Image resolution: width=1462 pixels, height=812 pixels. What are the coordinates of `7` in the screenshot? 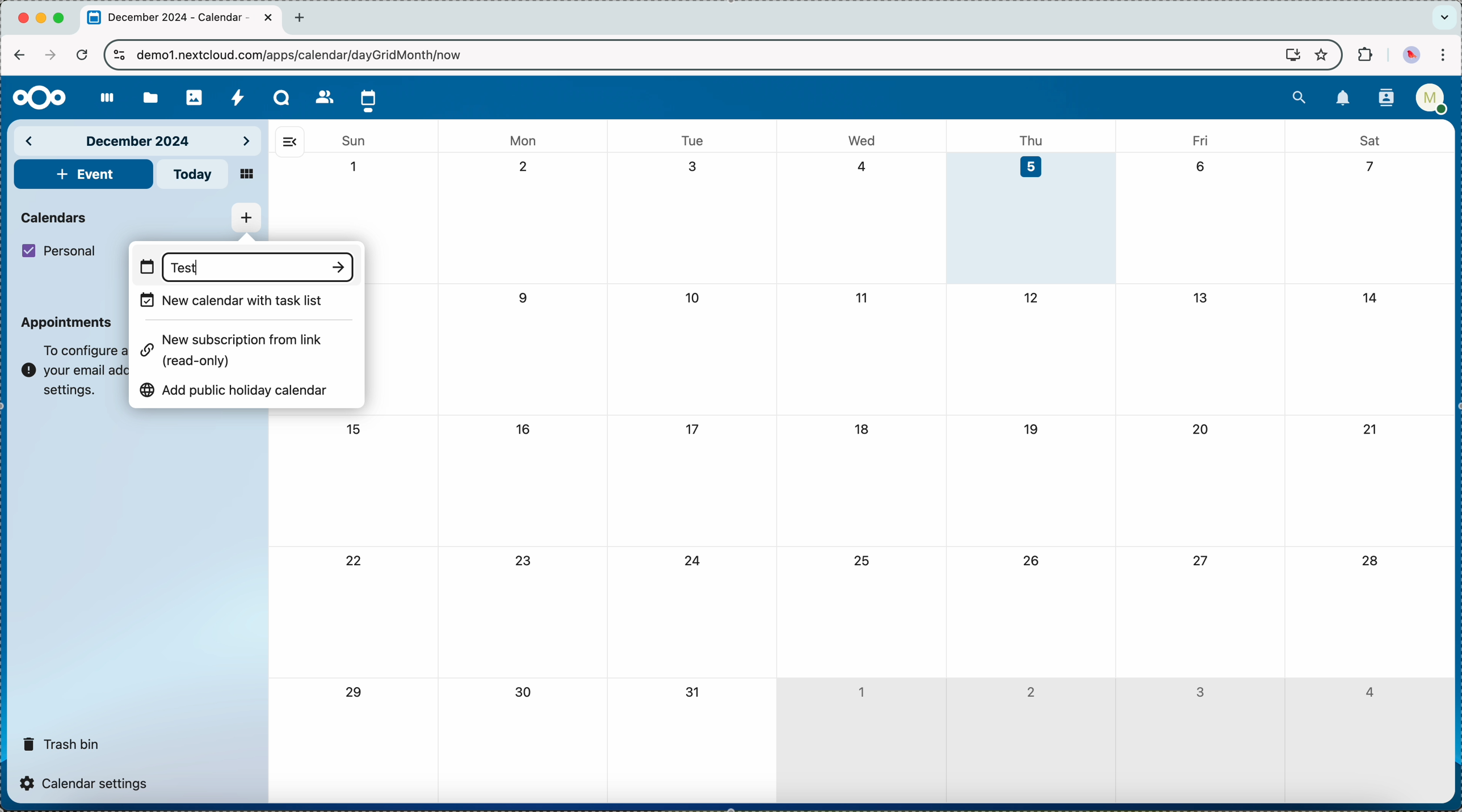 It's located at (1365, 167).